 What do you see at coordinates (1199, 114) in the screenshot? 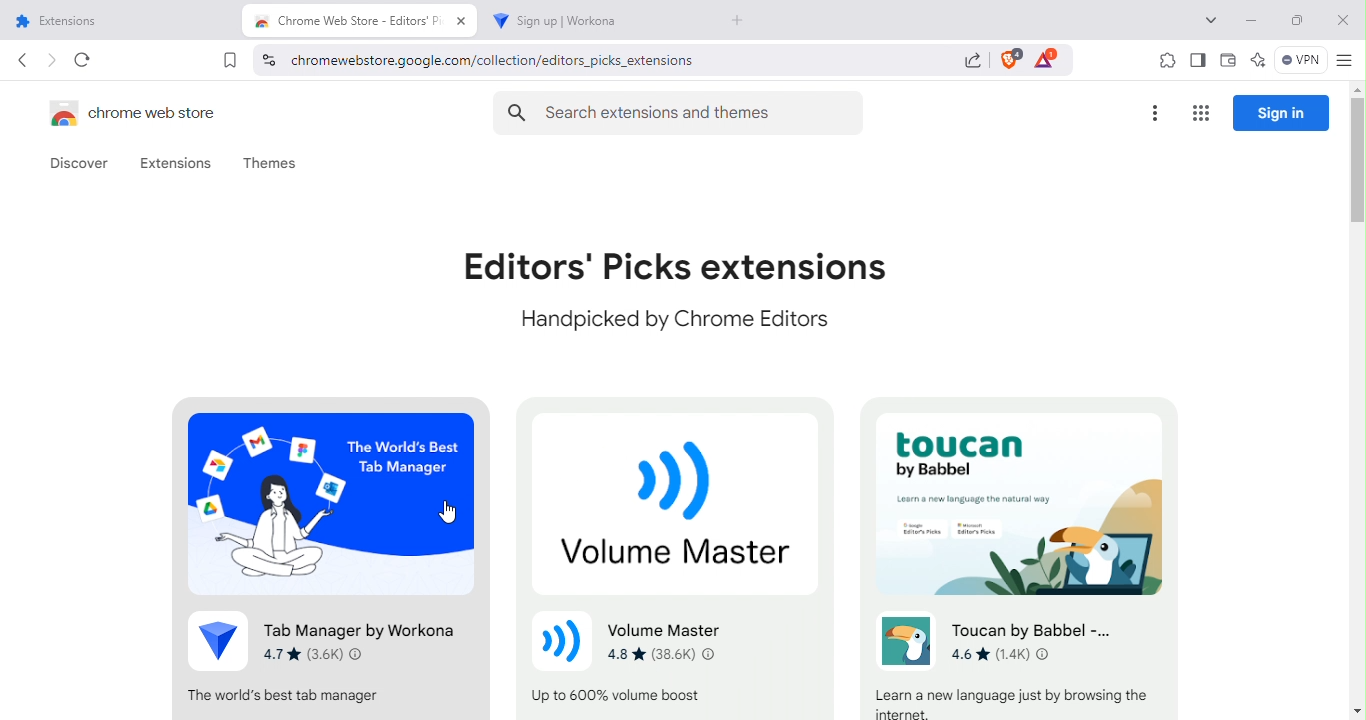
I see `Google Apps` at bounding box center [1199, 114].